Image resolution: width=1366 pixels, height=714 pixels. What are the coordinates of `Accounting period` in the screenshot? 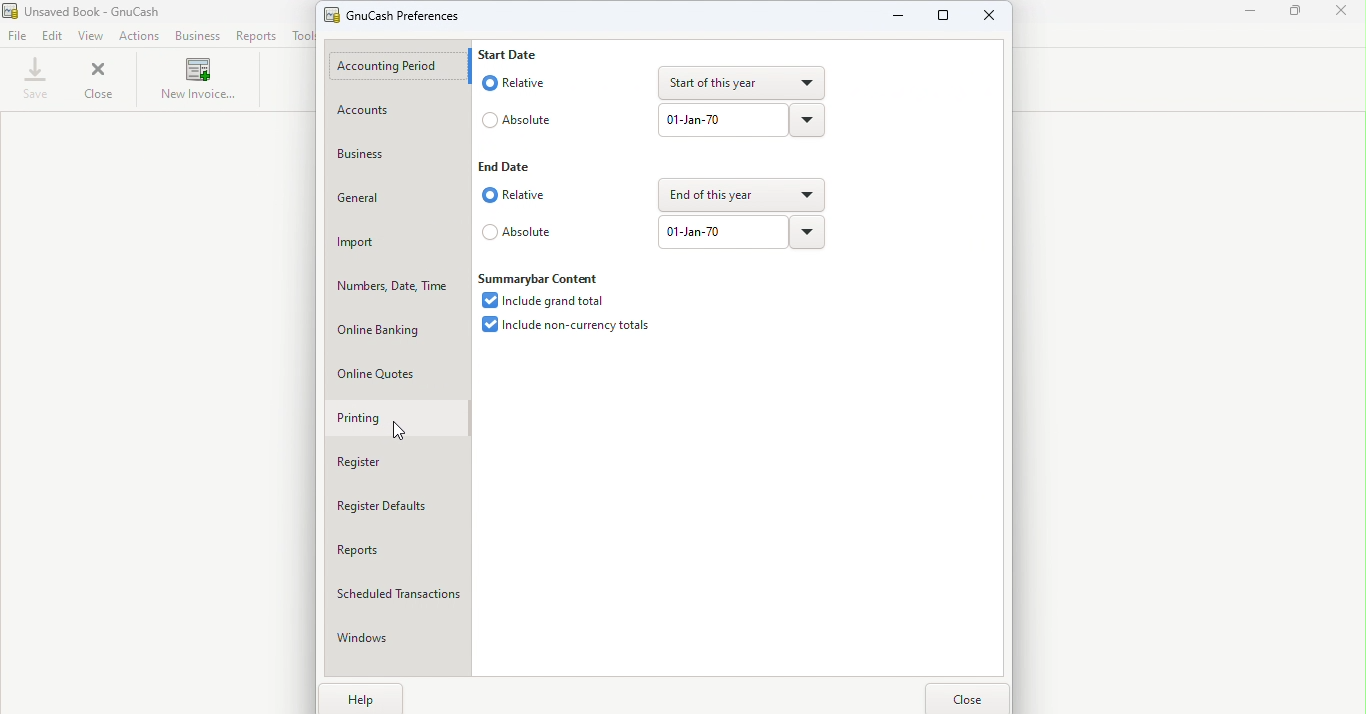 It's located at (396, 66).